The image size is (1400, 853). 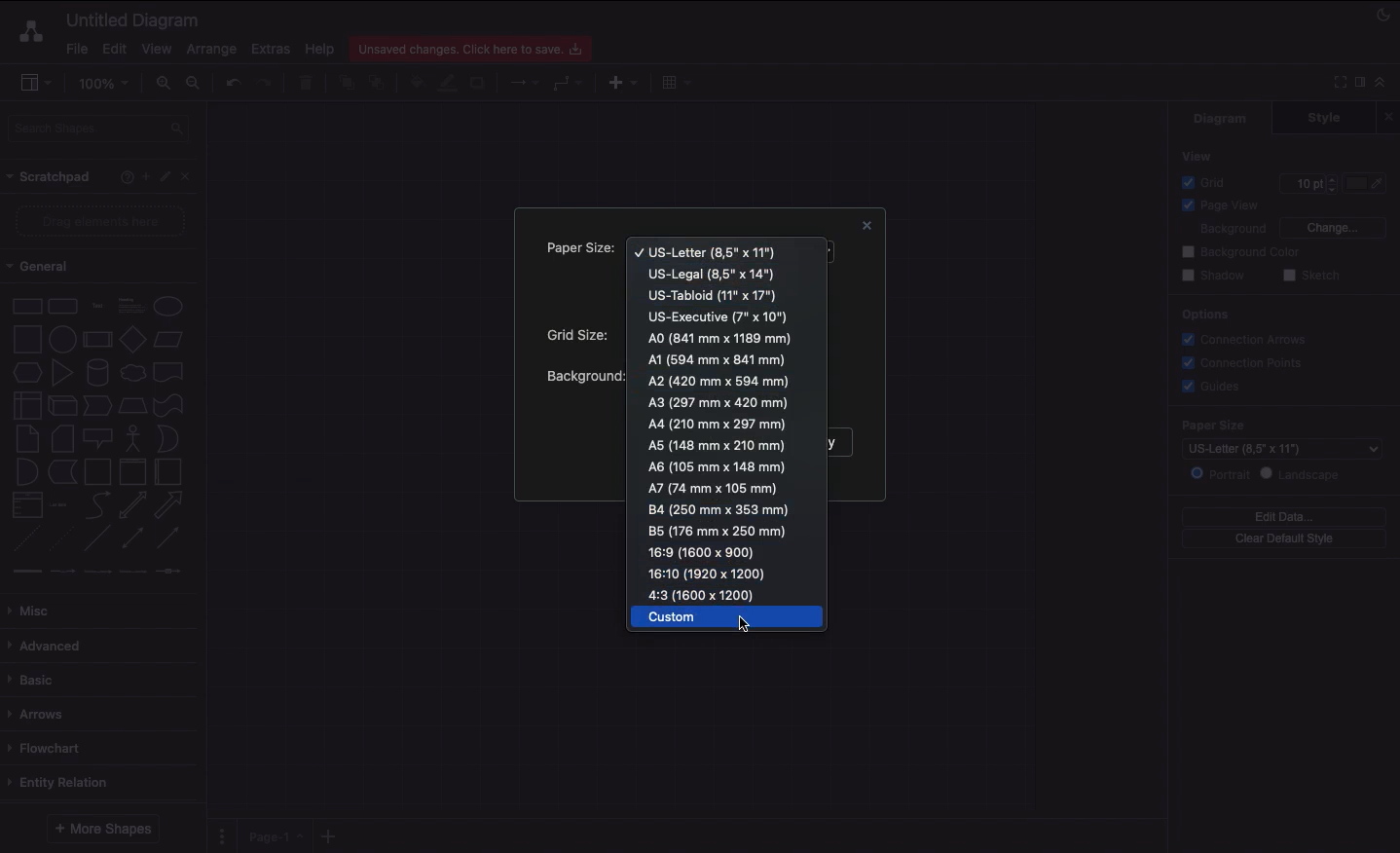 I want to click on Line color, so click(x=447, y=81).